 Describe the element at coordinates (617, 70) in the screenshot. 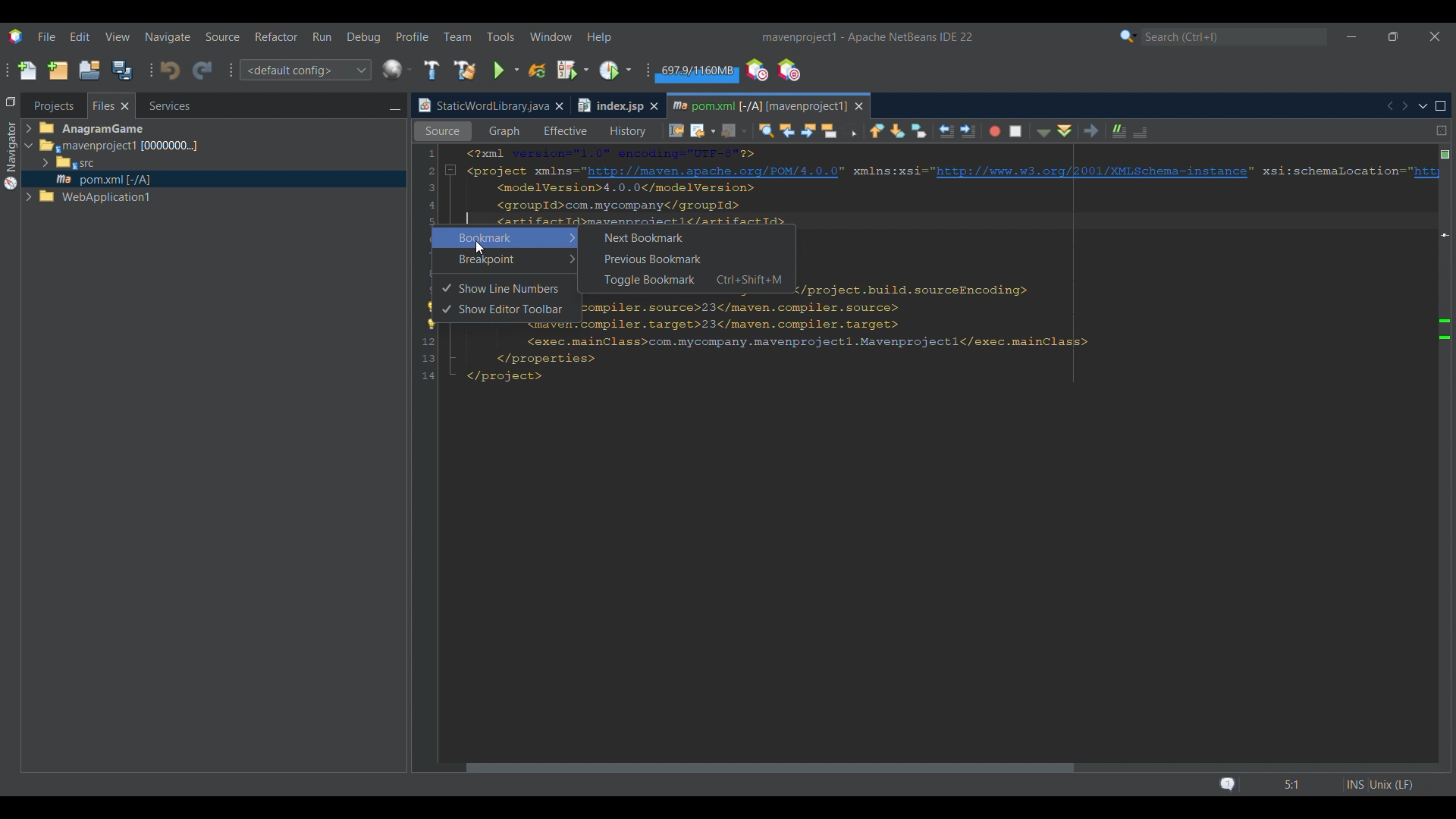

I see `Profile main project options` at that location.